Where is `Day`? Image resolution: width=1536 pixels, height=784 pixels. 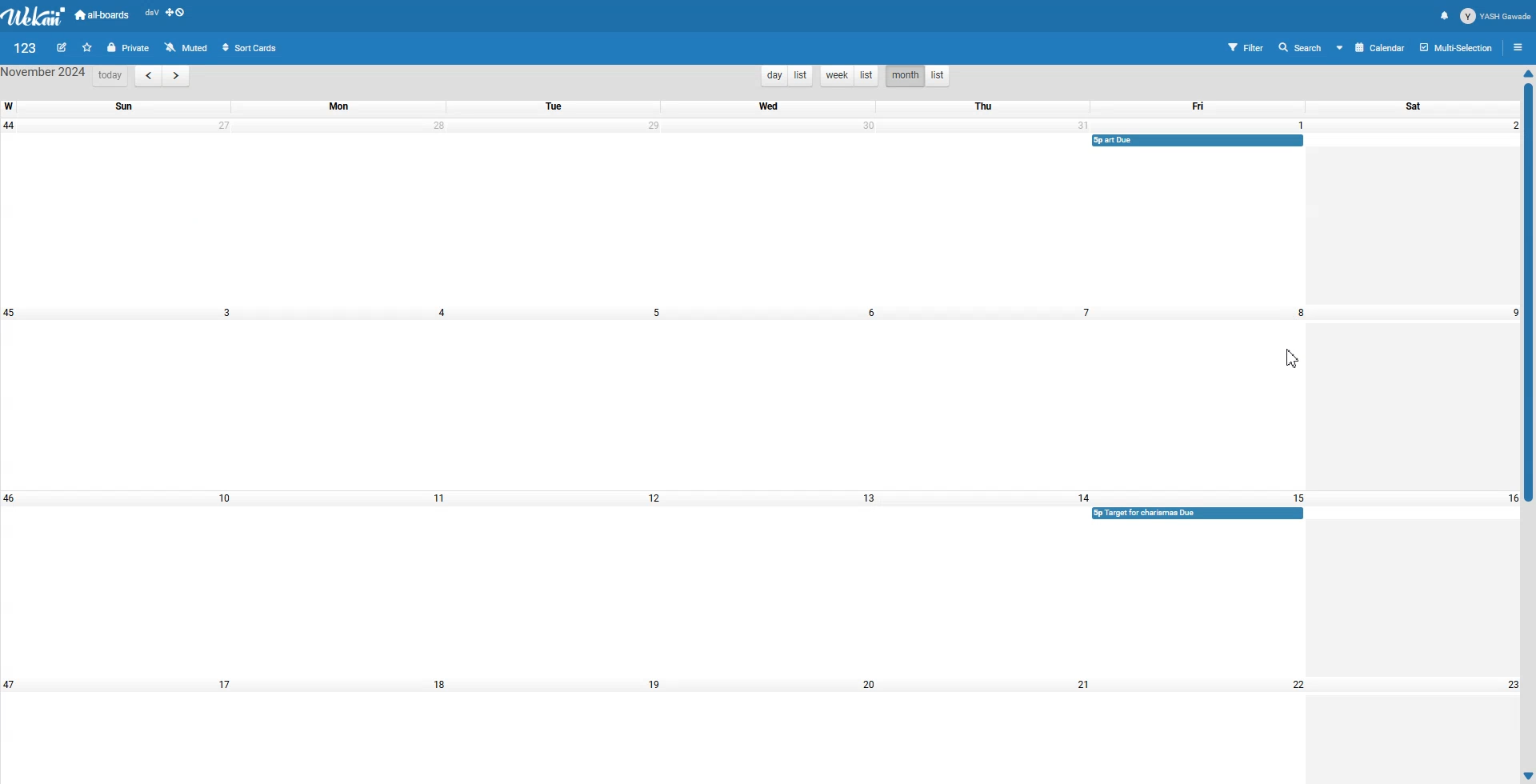
Day is located at coordinates (773, 75).